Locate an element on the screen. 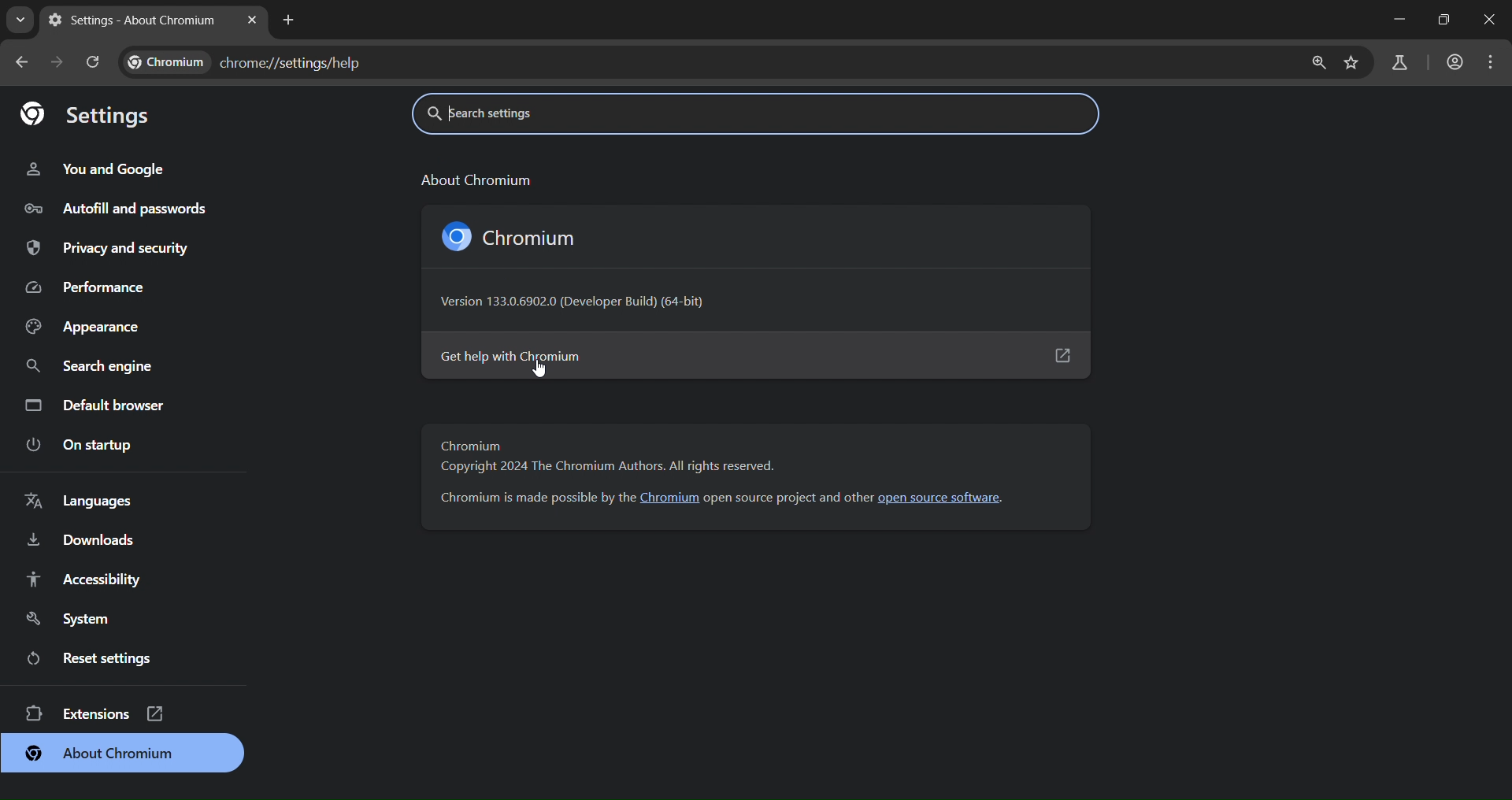 The image size is (1512, 800). autofill and passwords is located at coordinates (117, 207).